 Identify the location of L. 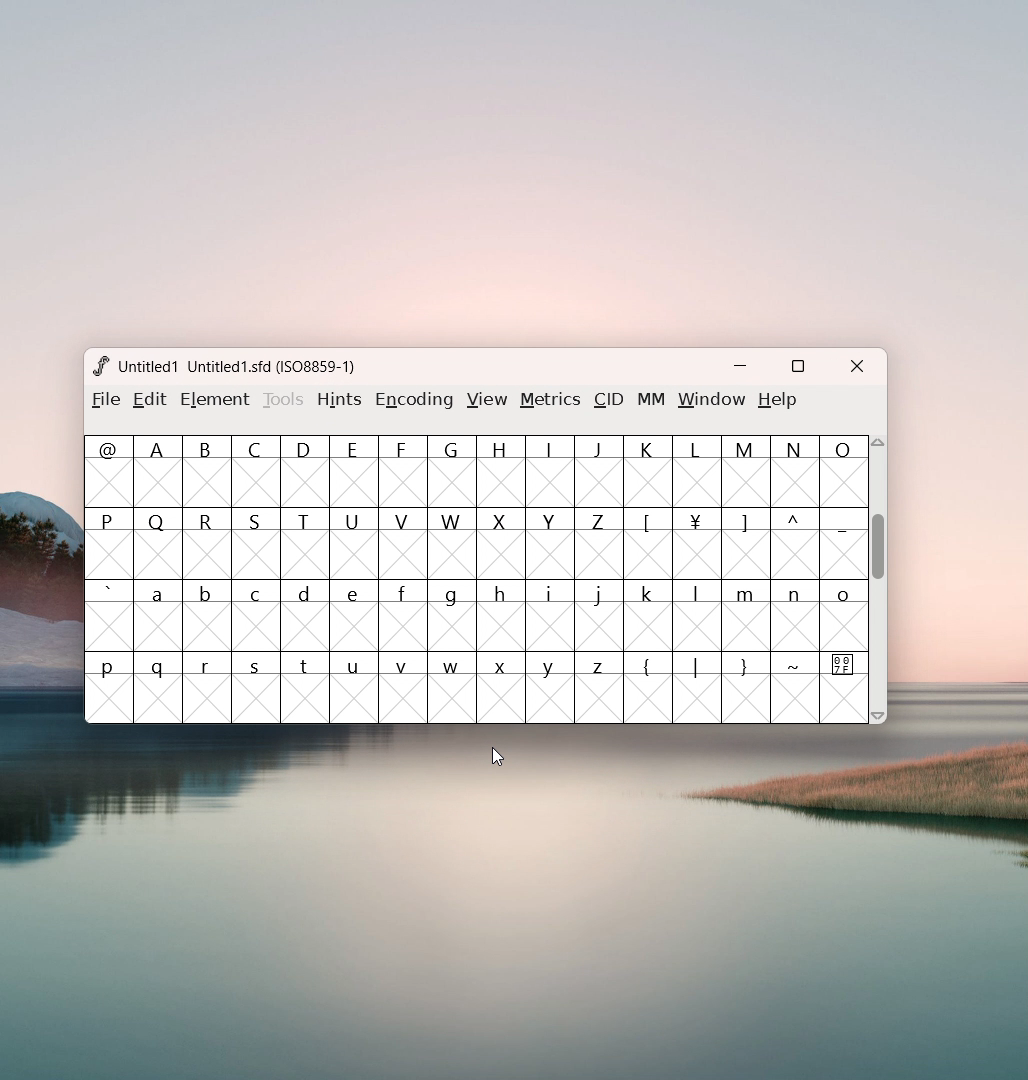
(697, 471).